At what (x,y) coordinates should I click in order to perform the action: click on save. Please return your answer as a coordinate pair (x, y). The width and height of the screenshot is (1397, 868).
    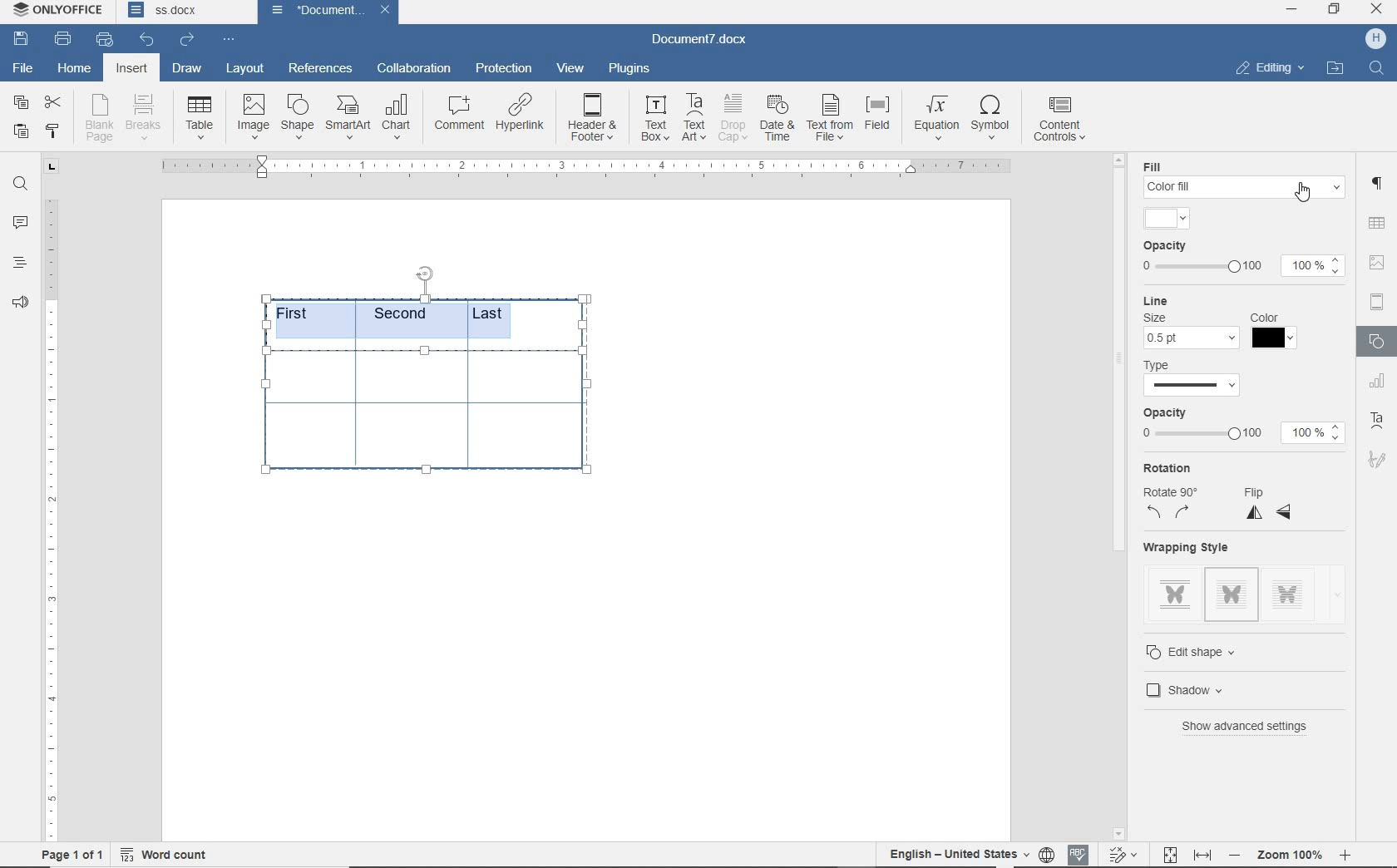
    Looking at the image, I should click on (24, 40).